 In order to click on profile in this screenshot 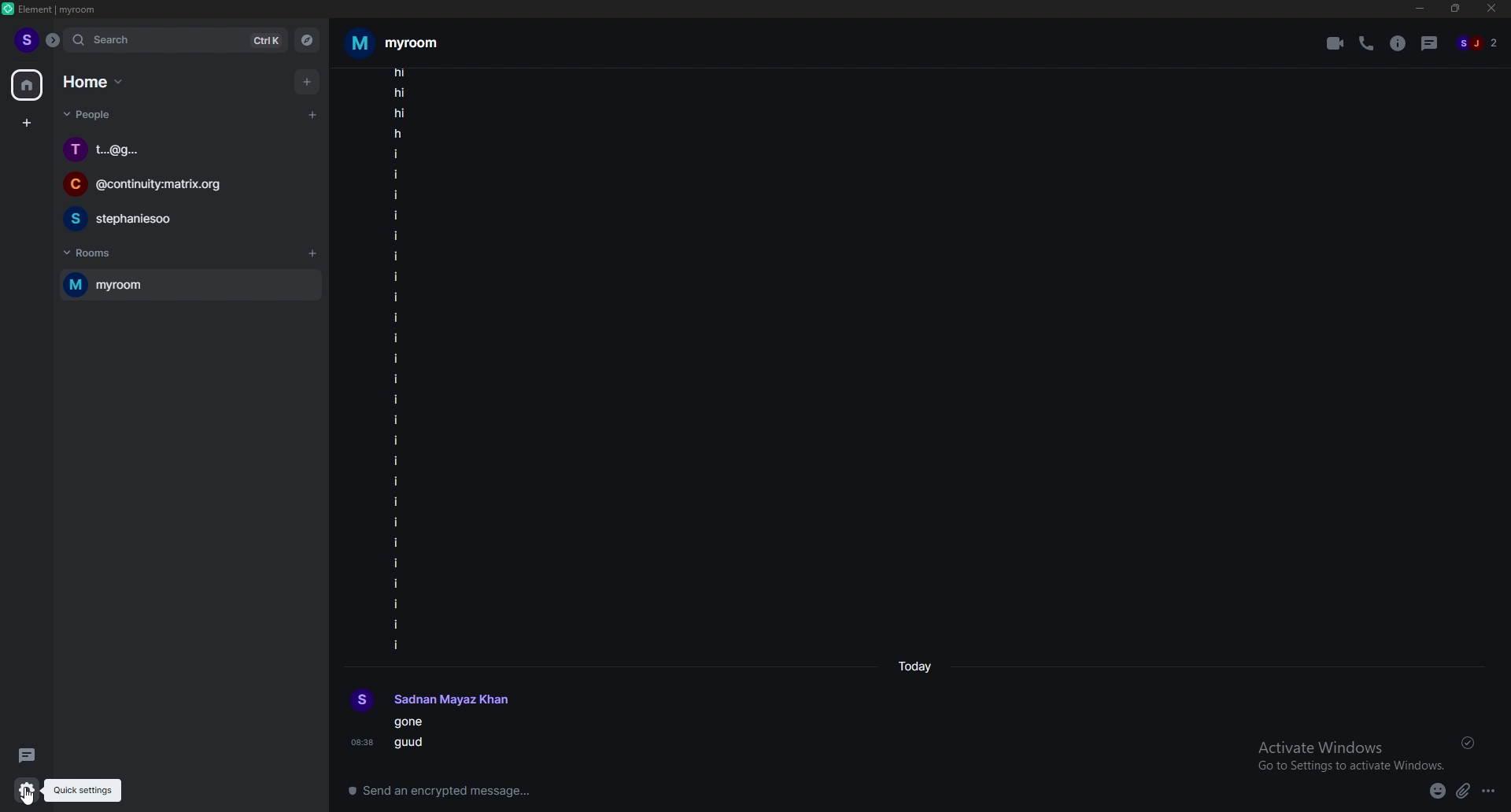, I will do `click(430, 699)`.